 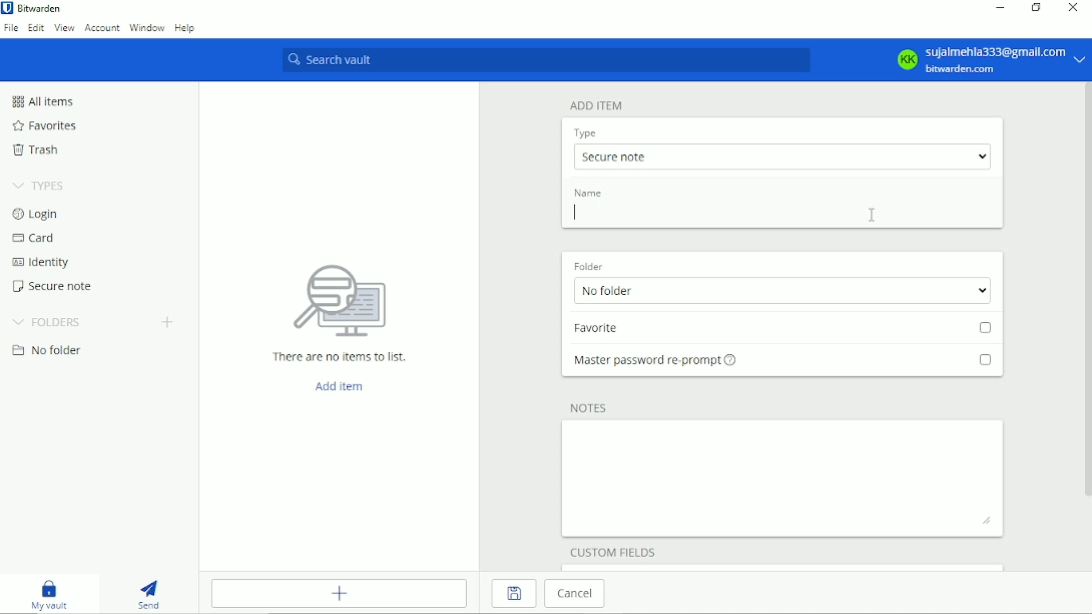 I want to click on Type, so click(x=586, y=133).